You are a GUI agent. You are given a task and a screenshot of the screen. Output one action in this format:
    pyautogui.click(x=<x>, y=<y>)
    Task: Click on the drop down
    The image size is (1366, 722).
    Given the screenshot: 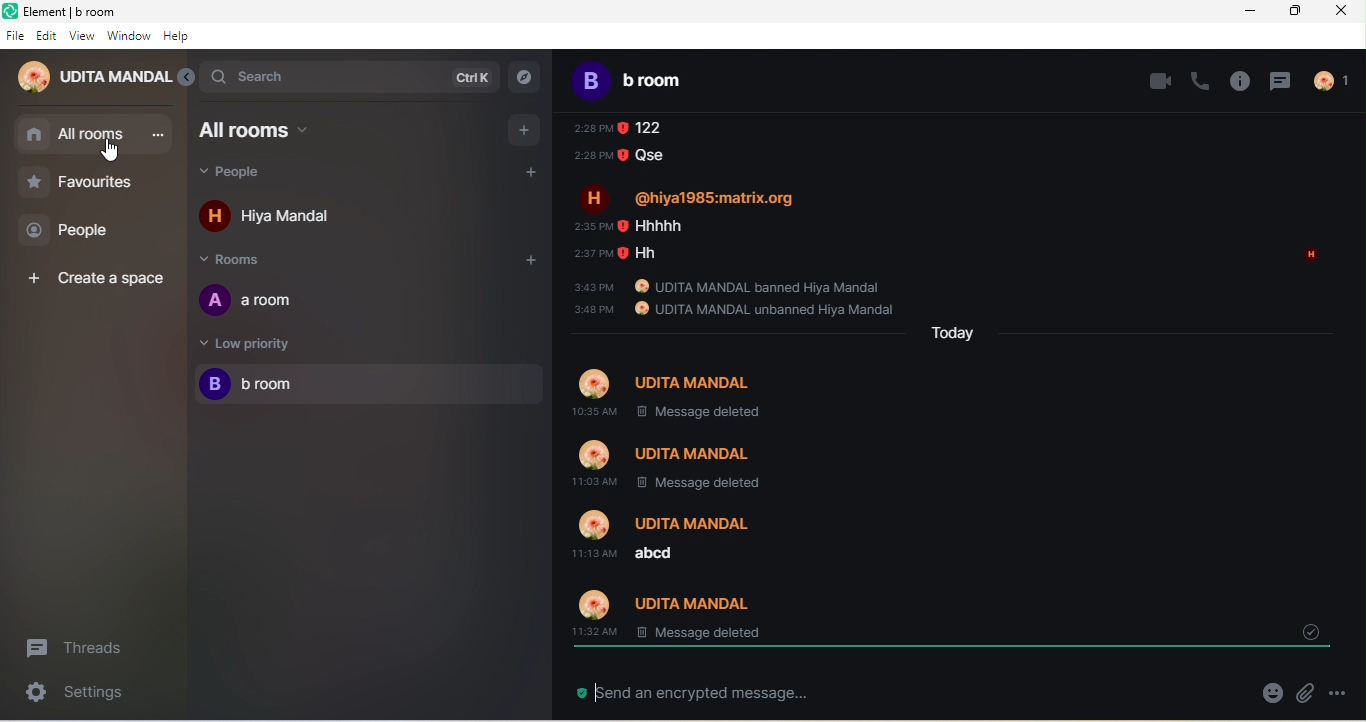 What is the action you would take?
    pyautogui.click(x=1310, y=628)
    